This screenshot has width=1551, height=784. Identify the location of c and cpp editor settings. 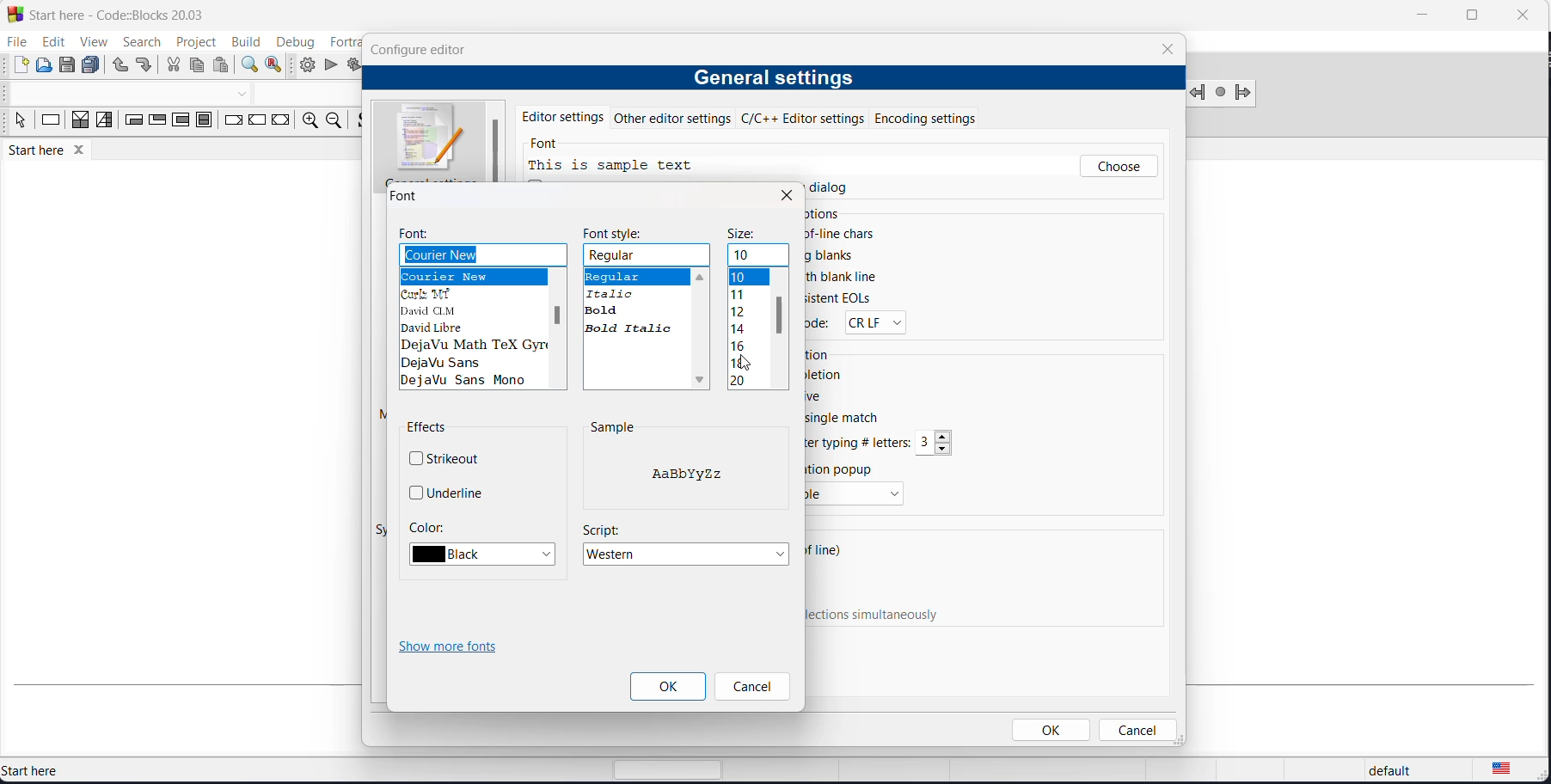
(808, 118).